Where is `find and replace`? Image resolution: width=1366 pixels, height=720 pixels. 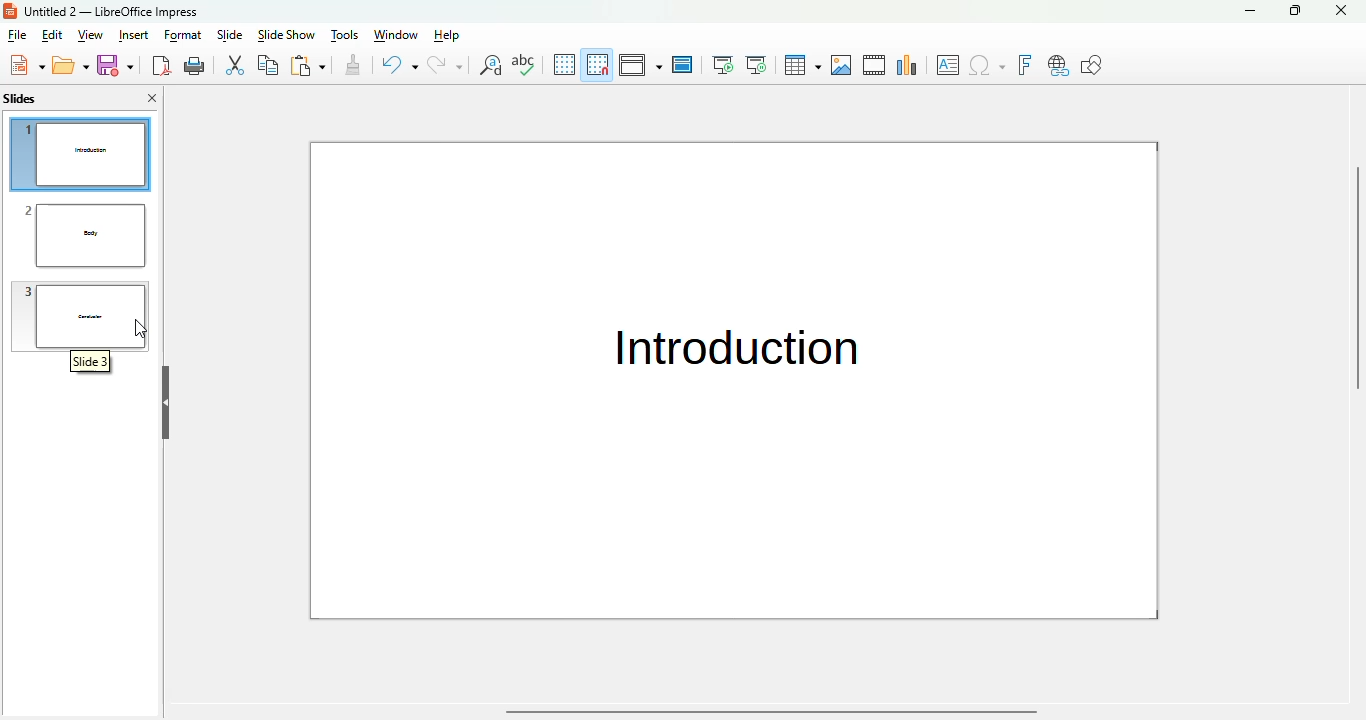
find and replace is located at coordinates (489, 64).